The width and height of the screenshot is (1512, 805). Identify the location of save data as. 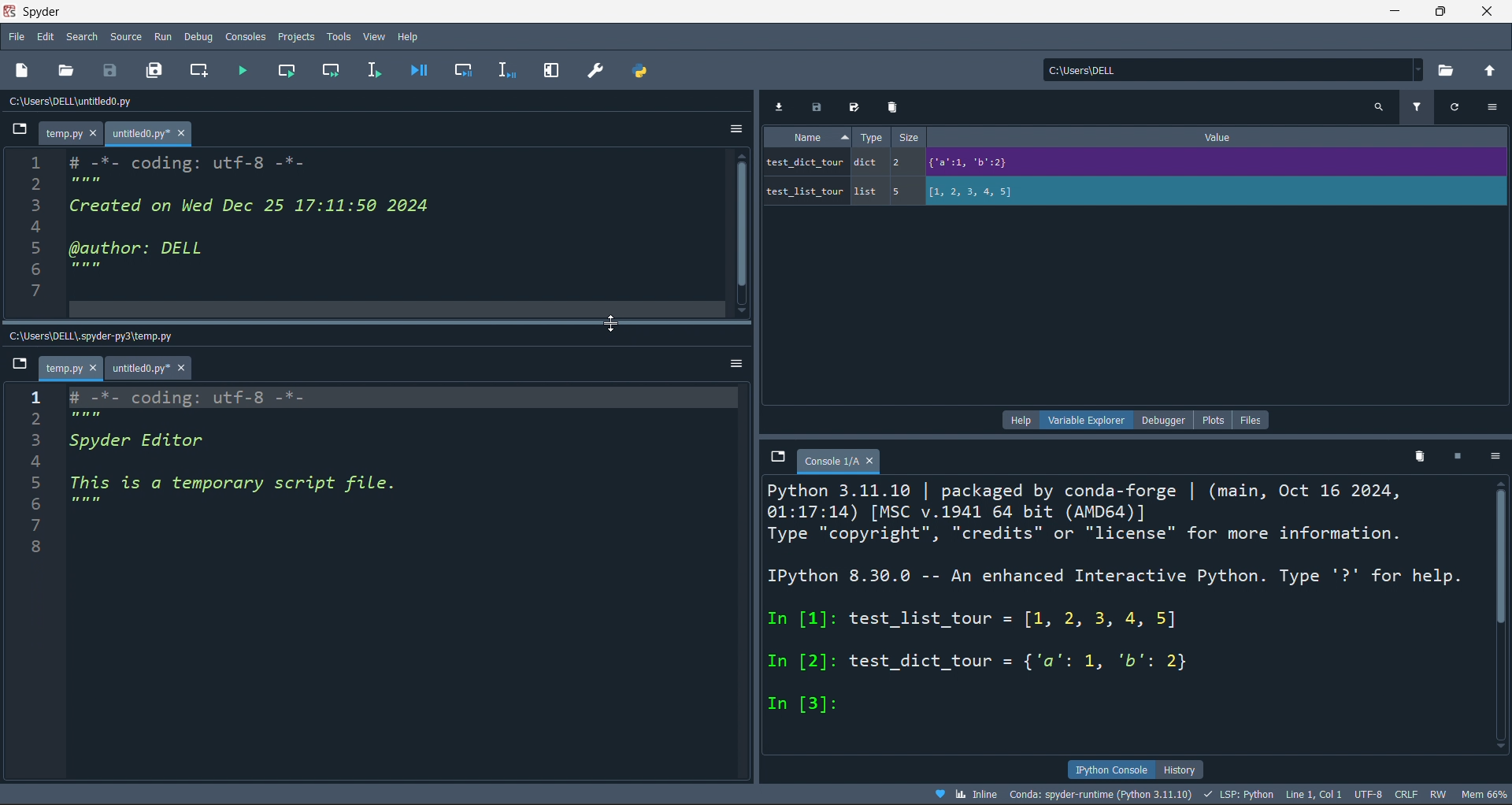
(858, 107).